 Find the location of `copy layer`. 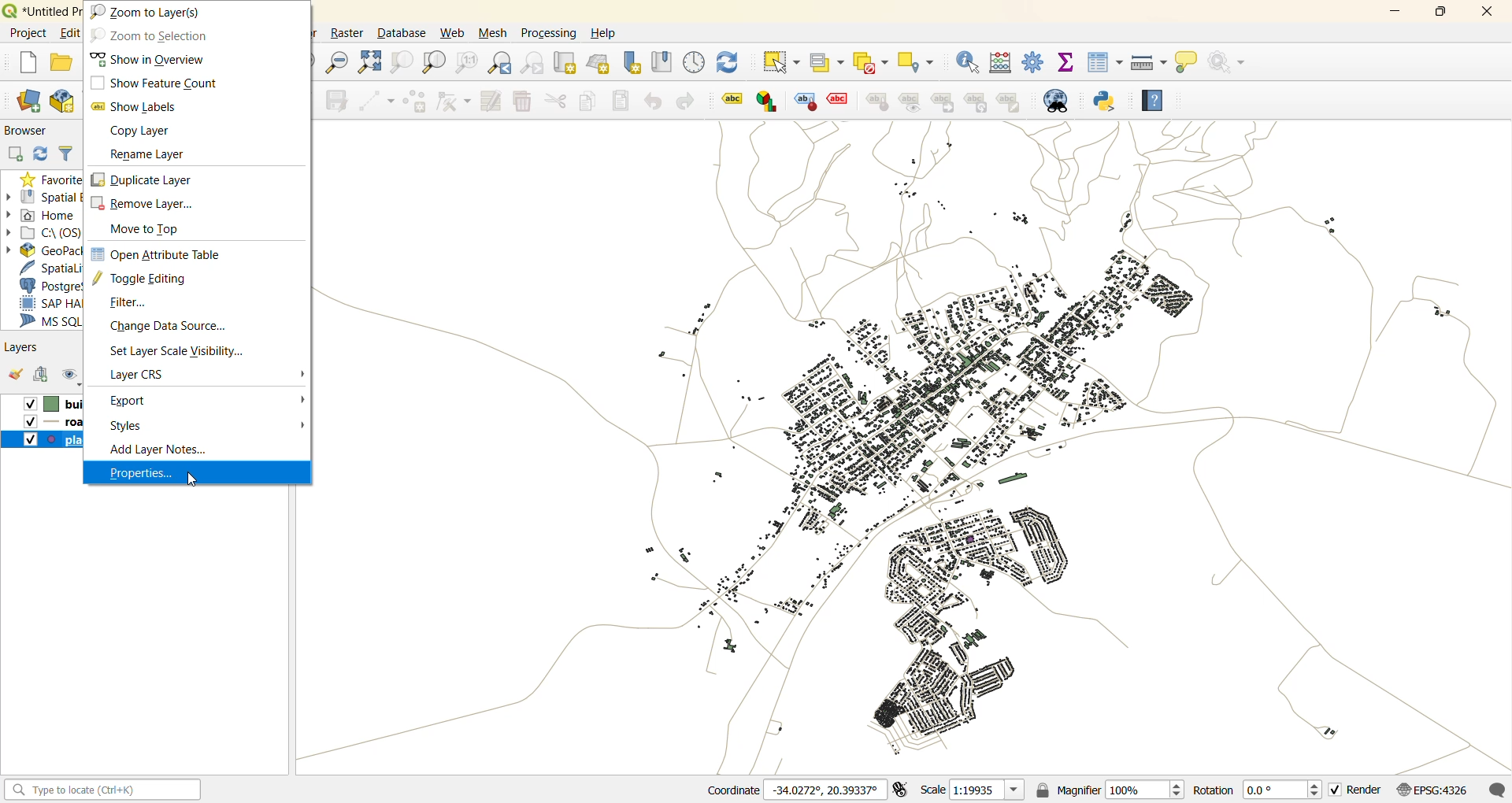

copy layer is located at coordinates (143, 131).